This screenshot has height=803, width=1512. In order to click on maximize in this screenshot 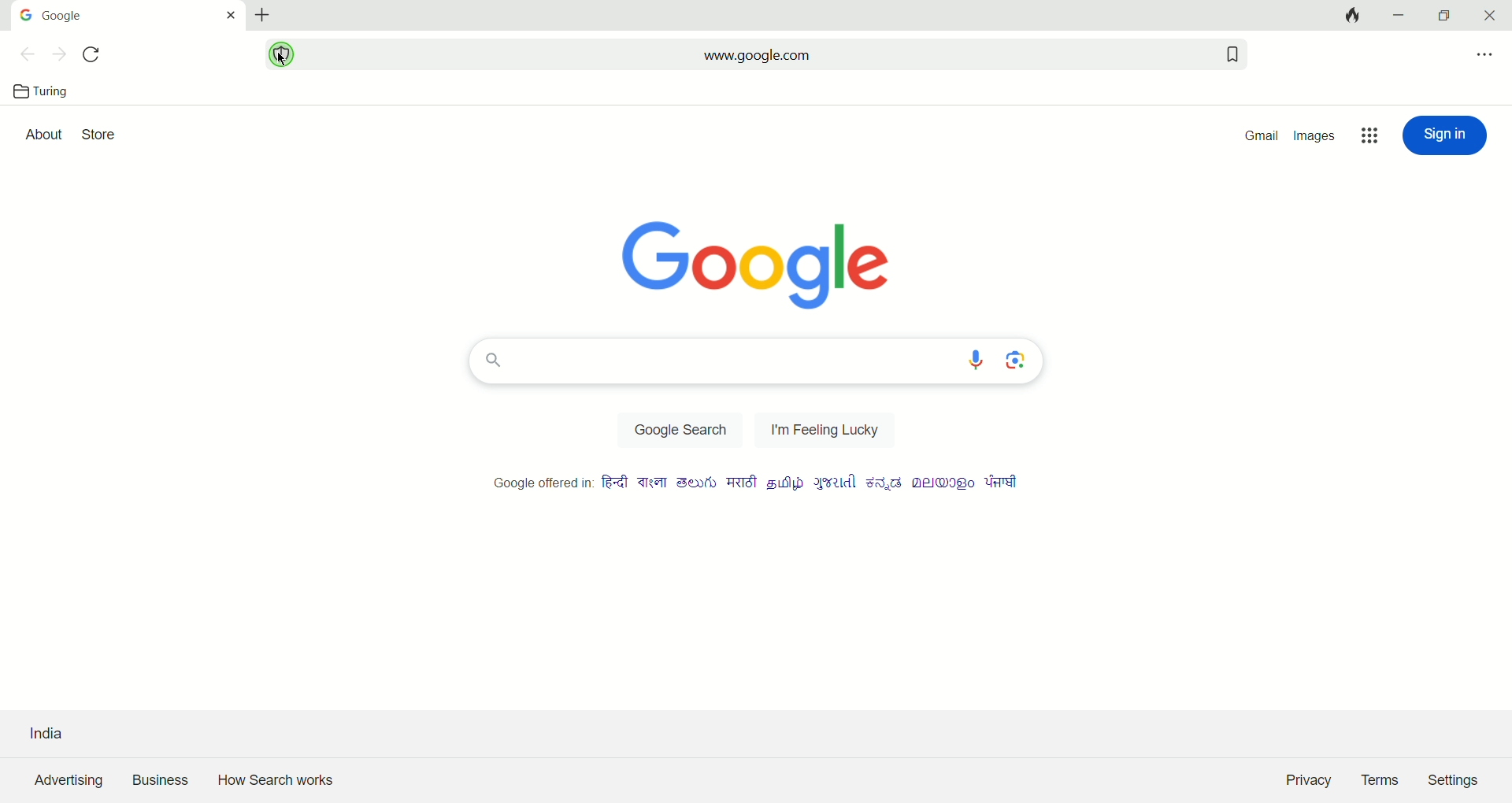, I will do `click(1448, 17)`.